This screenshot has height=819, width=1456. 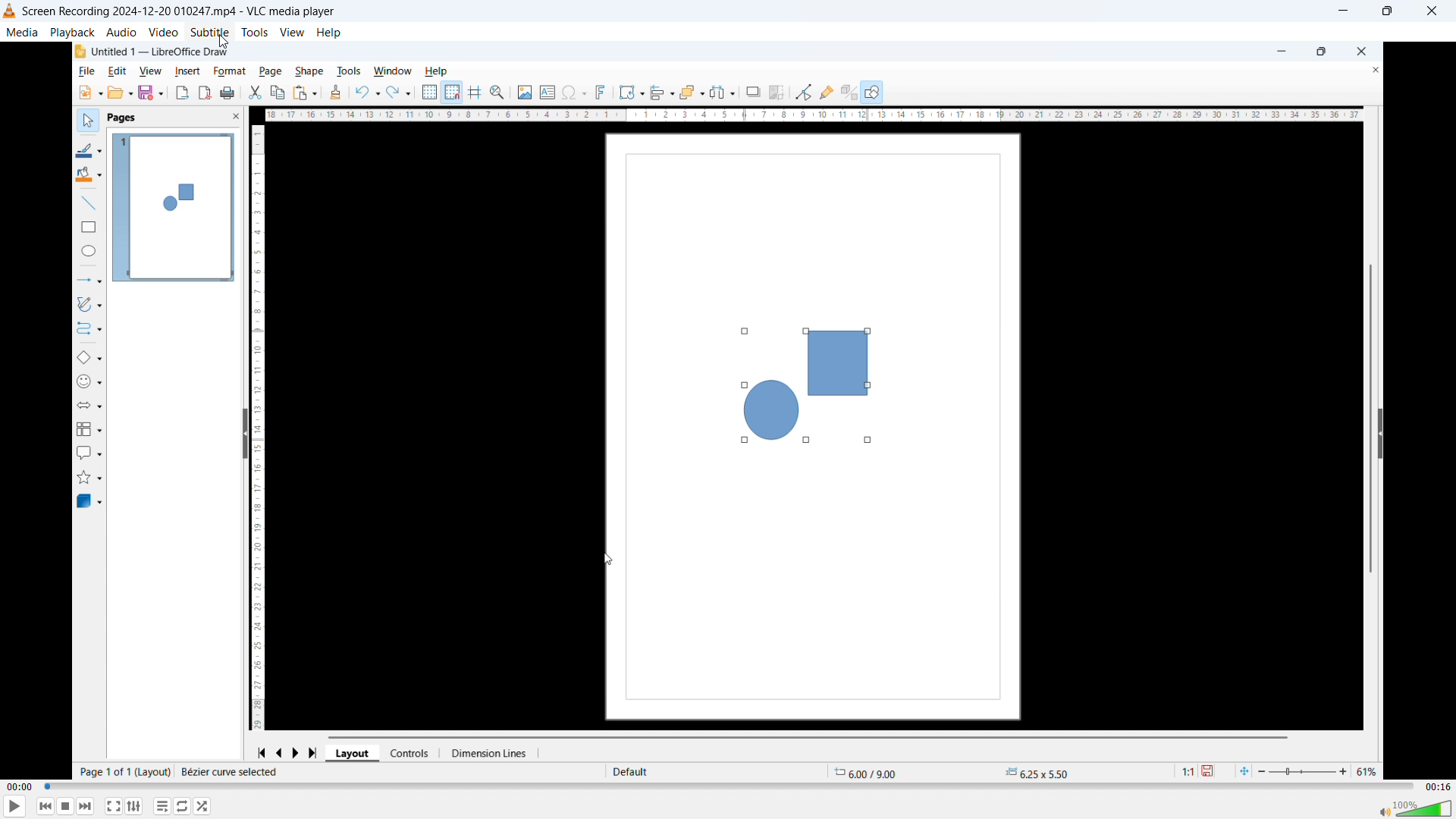 I want to click on previous page, so click(x=281, y=751).